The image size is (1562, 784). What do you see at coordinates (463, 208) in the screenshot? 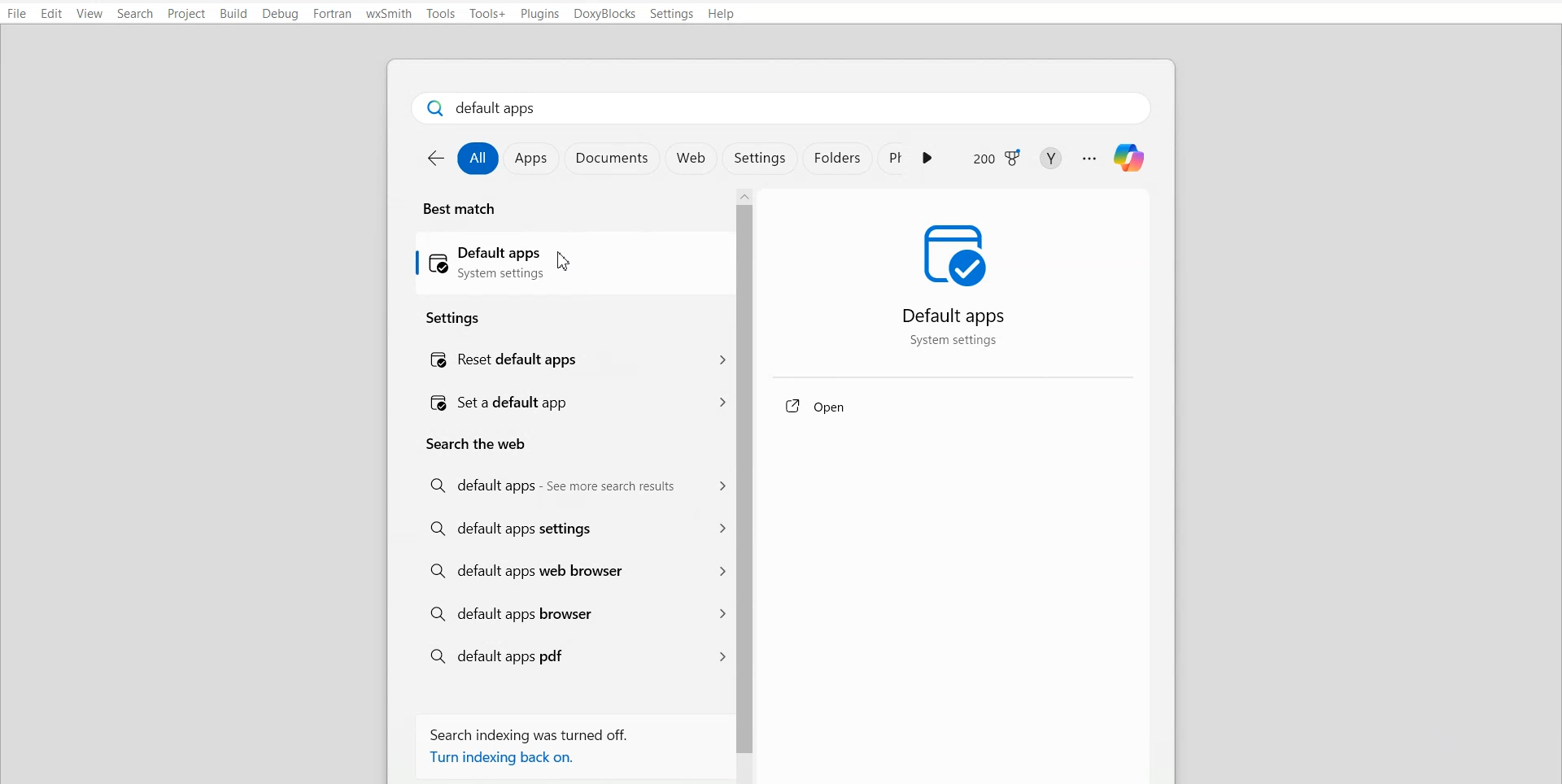
I see `Title` at bounding box center [463, 208].